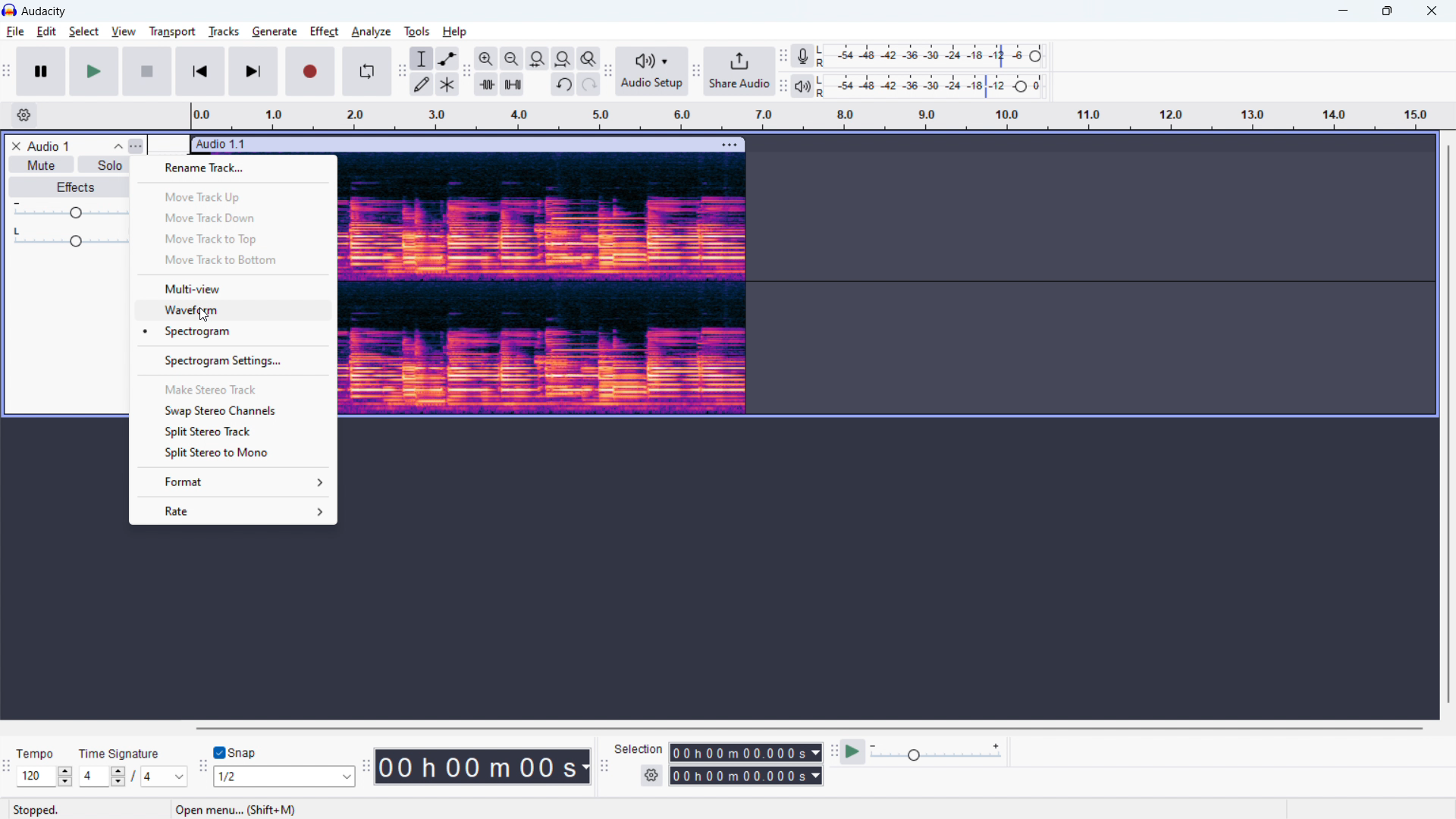  I want to click on file, so click(15, 32).